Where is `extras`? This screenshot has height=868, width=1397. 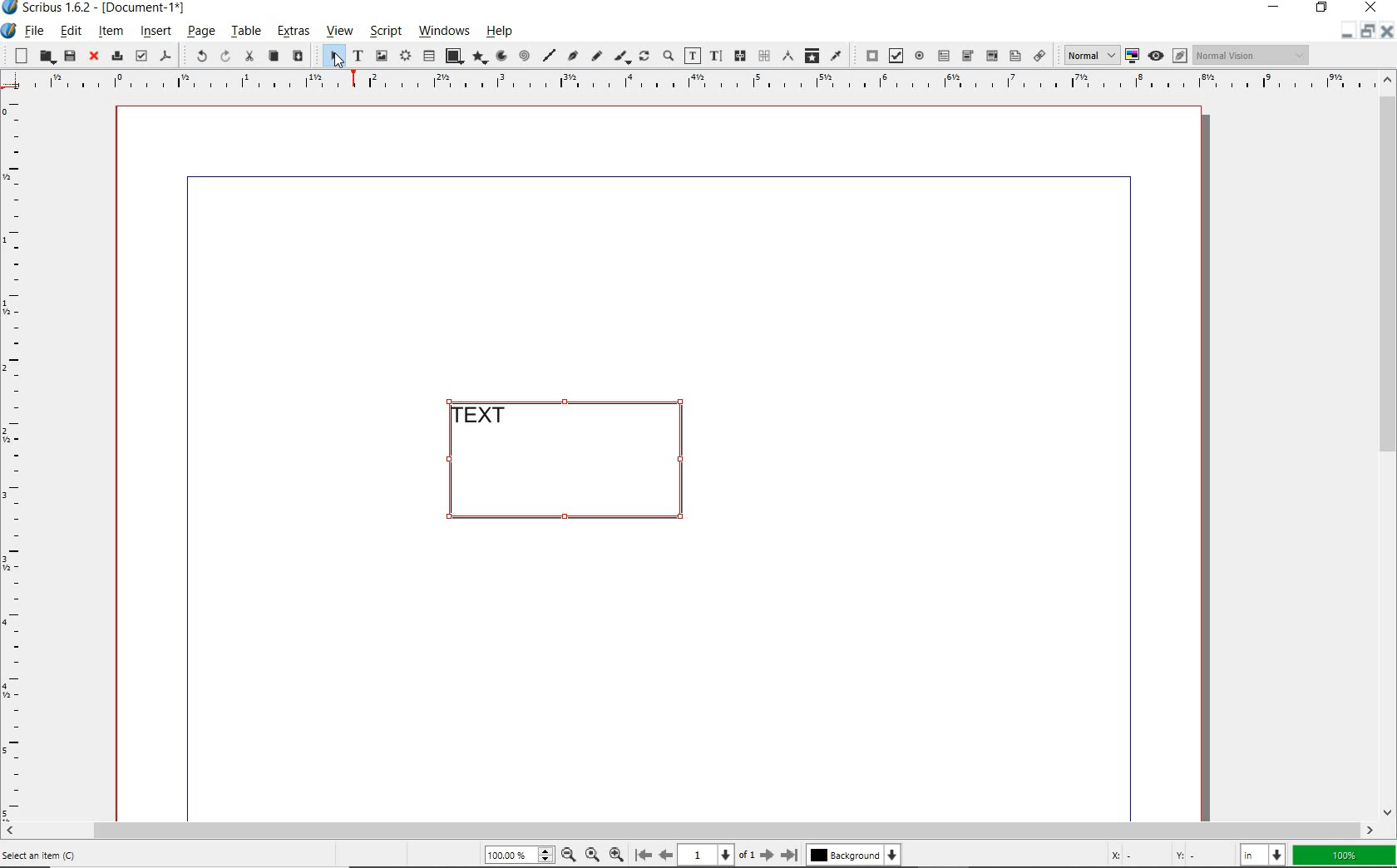 extras is located at coordinates (295, 32).